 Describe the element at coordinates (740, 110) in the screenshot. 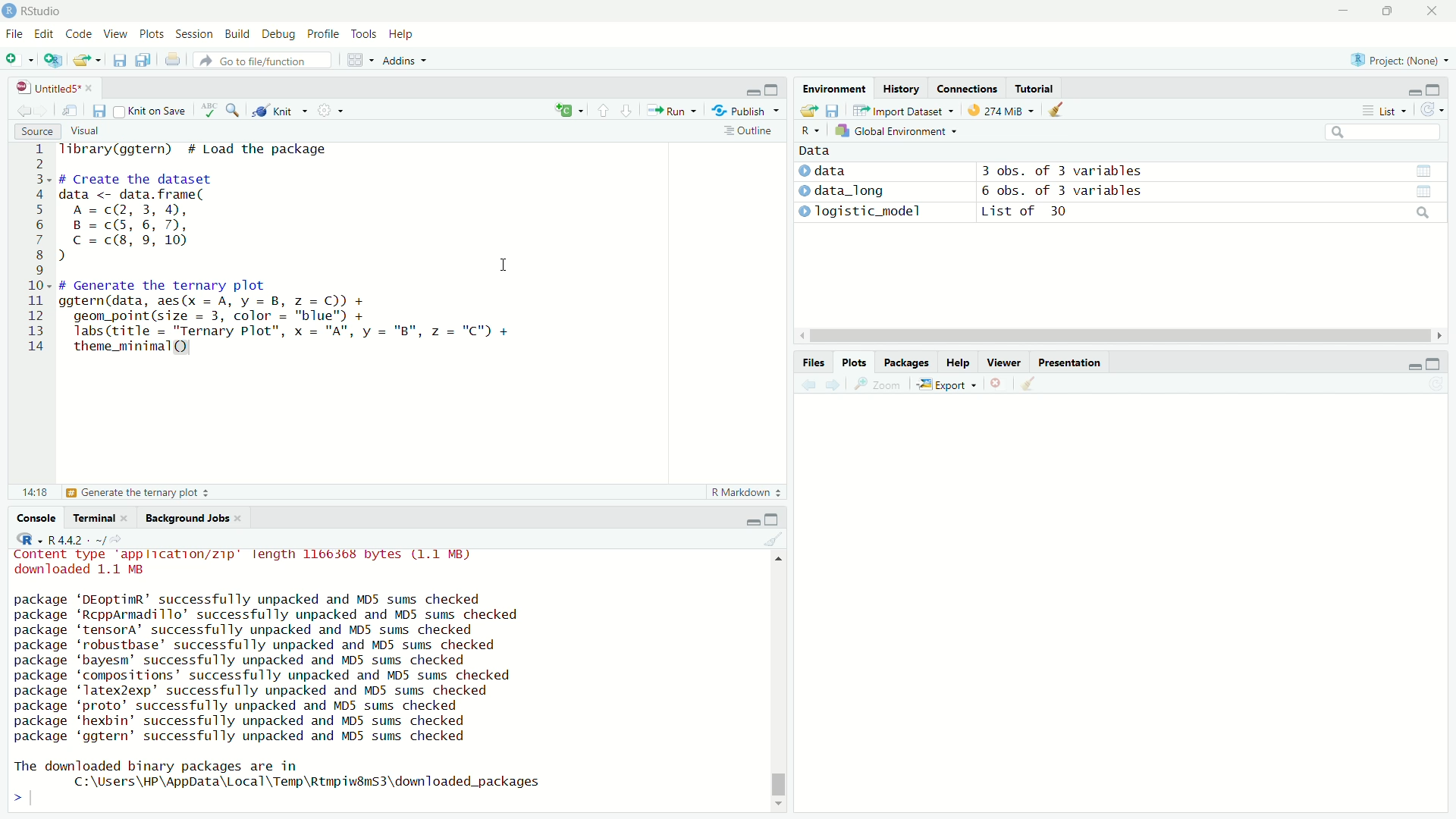

I see `» Publish` at that location.